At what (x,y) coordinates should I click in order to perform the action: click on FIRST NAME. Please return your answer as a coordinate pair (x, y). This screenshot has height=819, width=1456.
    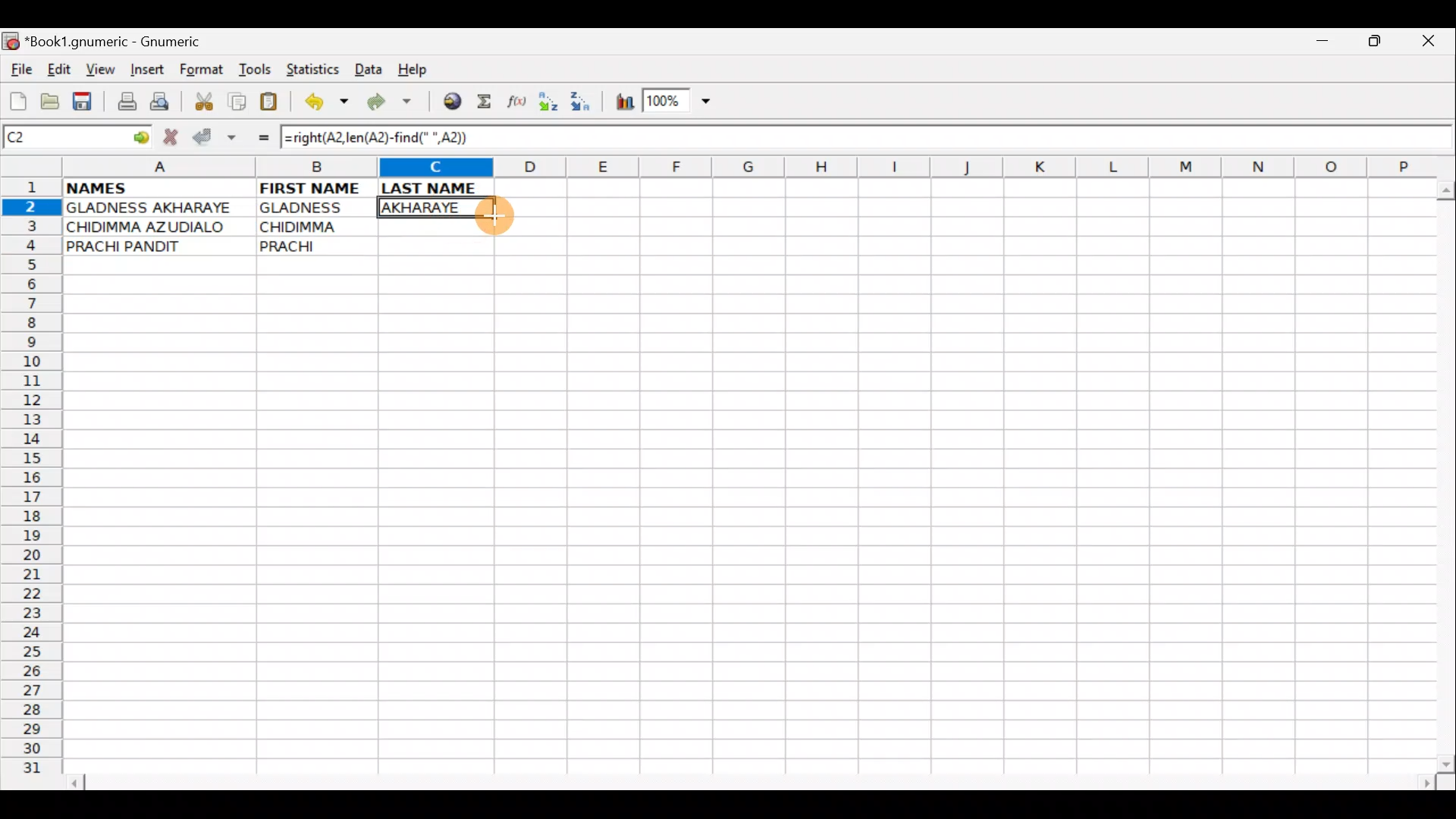
    Looking at the image, I should click on (312, 187).